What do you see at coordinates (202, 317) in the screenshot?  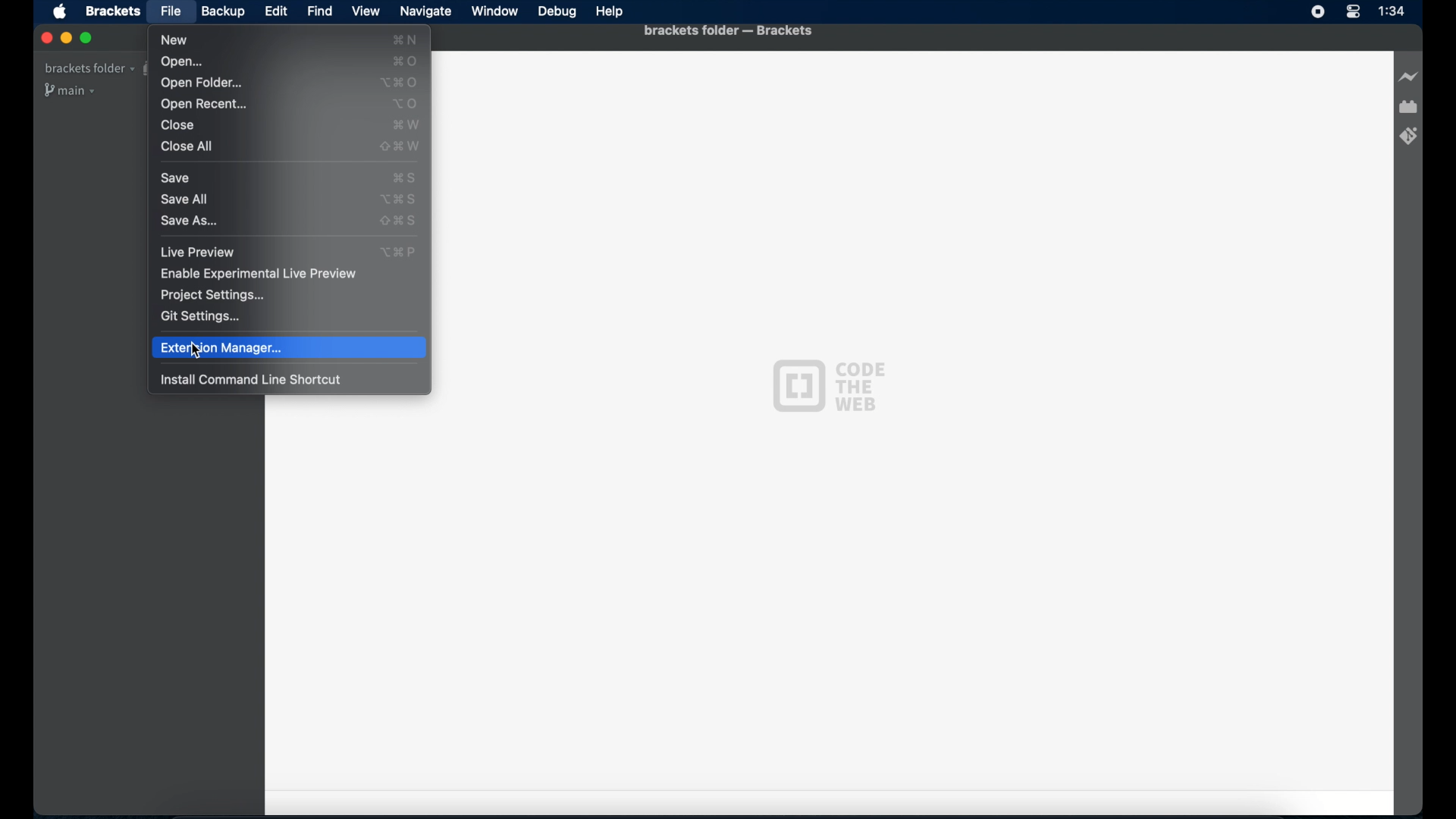 I see `git extensions` at bounding box center [202, 317].